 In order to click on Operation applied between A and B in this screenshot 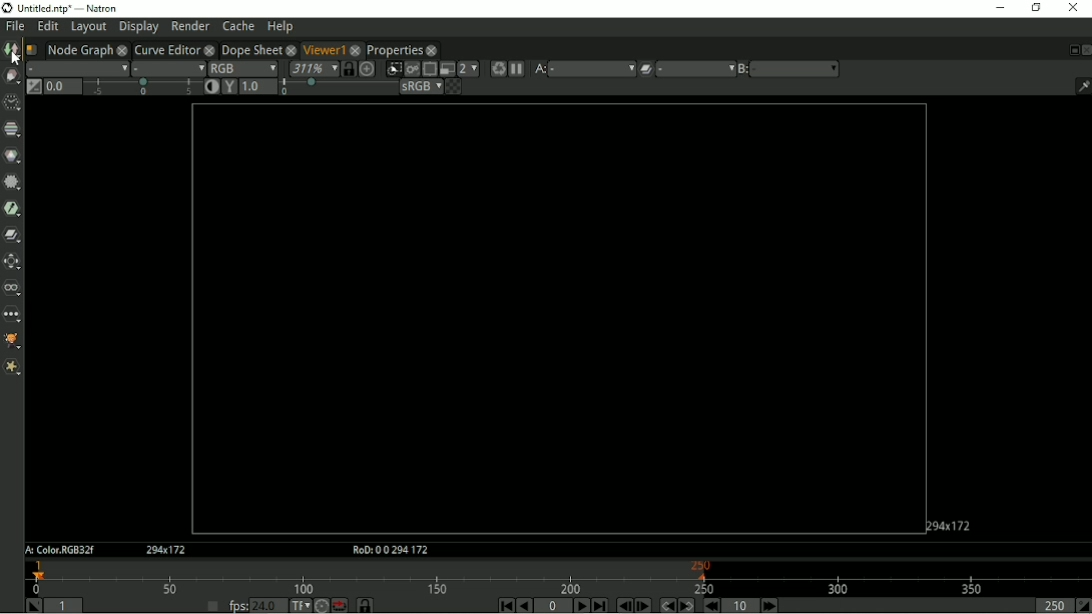, I will do `click(646, 68)`.